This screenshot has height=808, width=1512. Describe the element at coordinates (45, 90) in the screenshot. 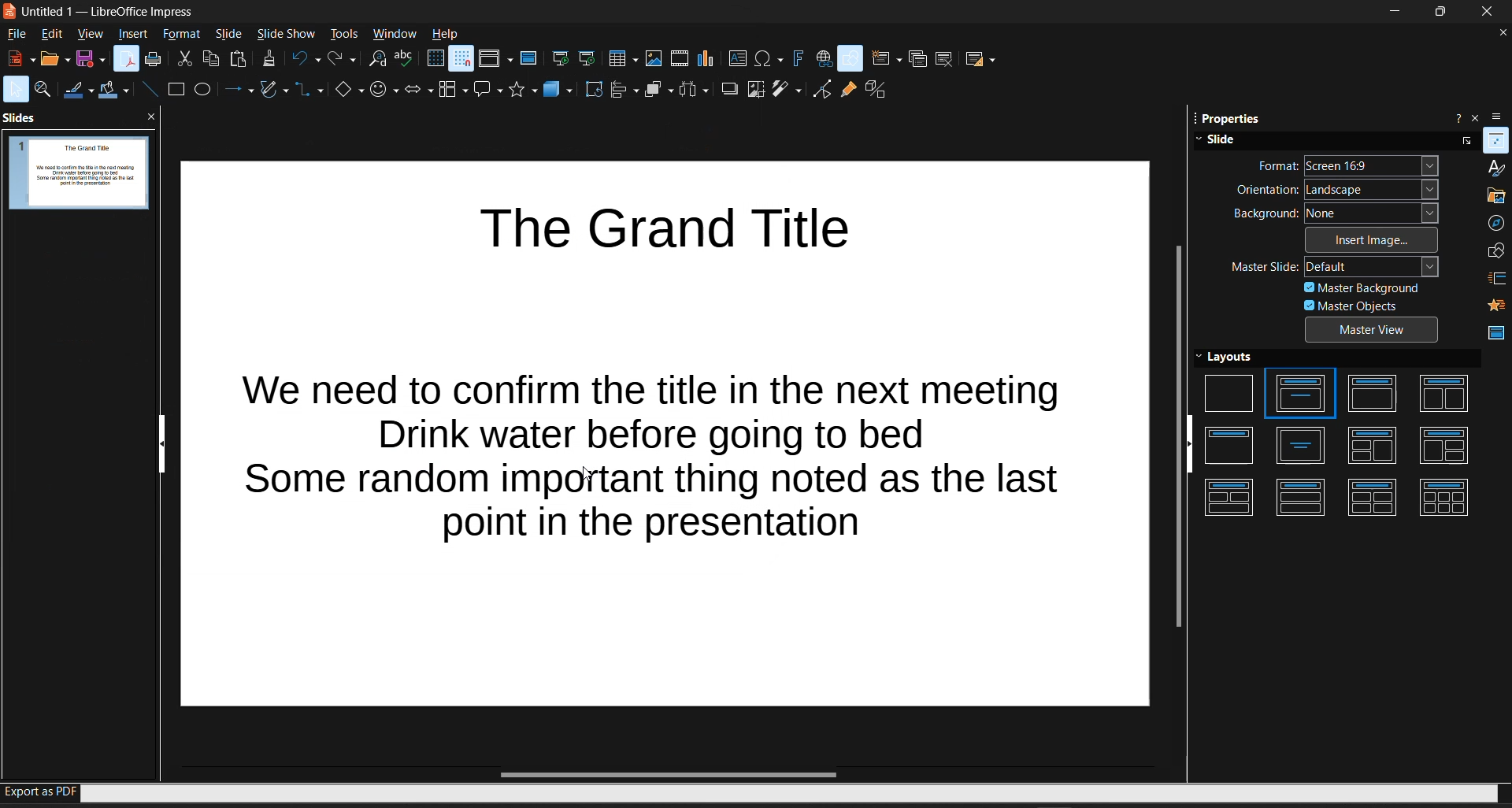

I see `zoom and pan` at that location.